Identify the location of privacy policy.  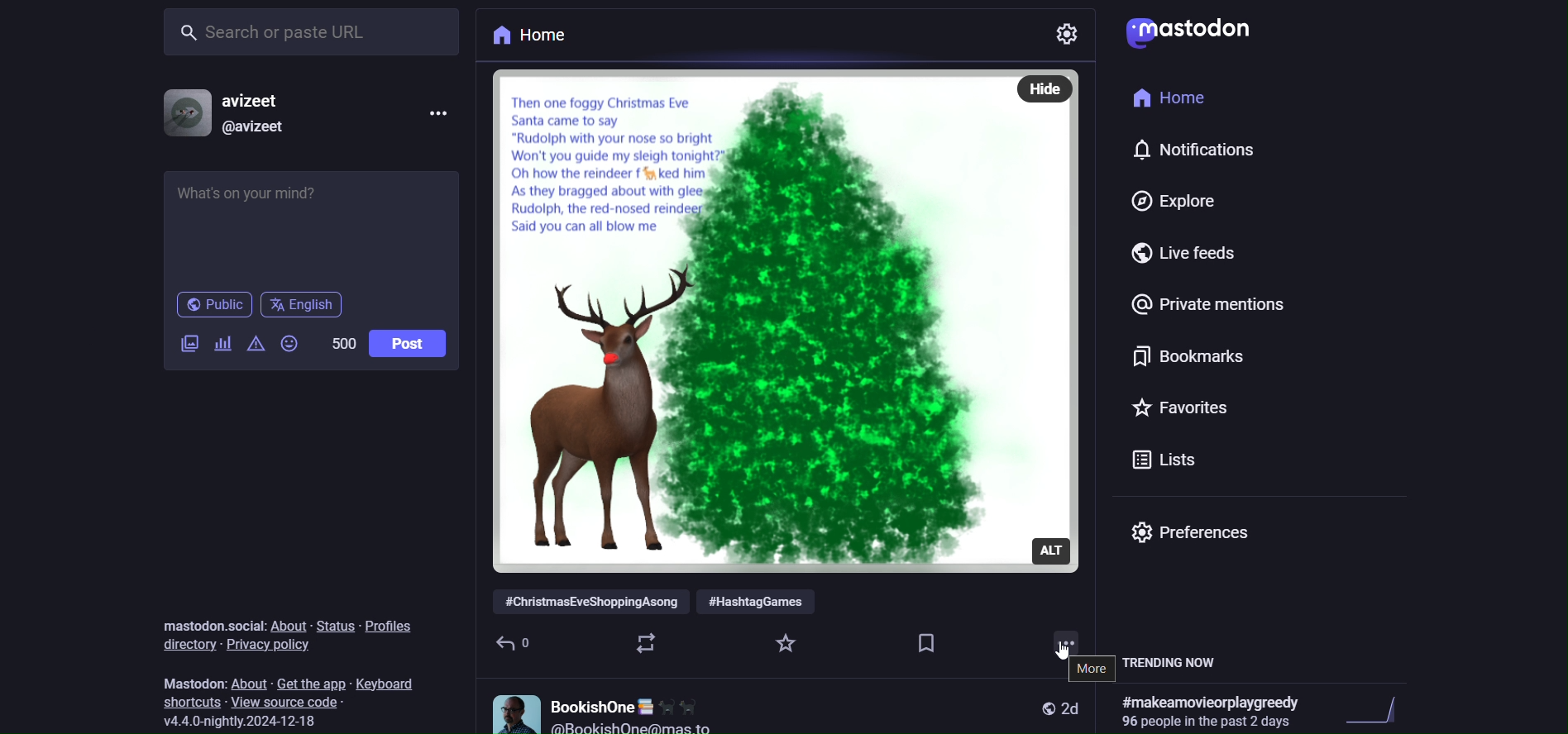
(271, 651).